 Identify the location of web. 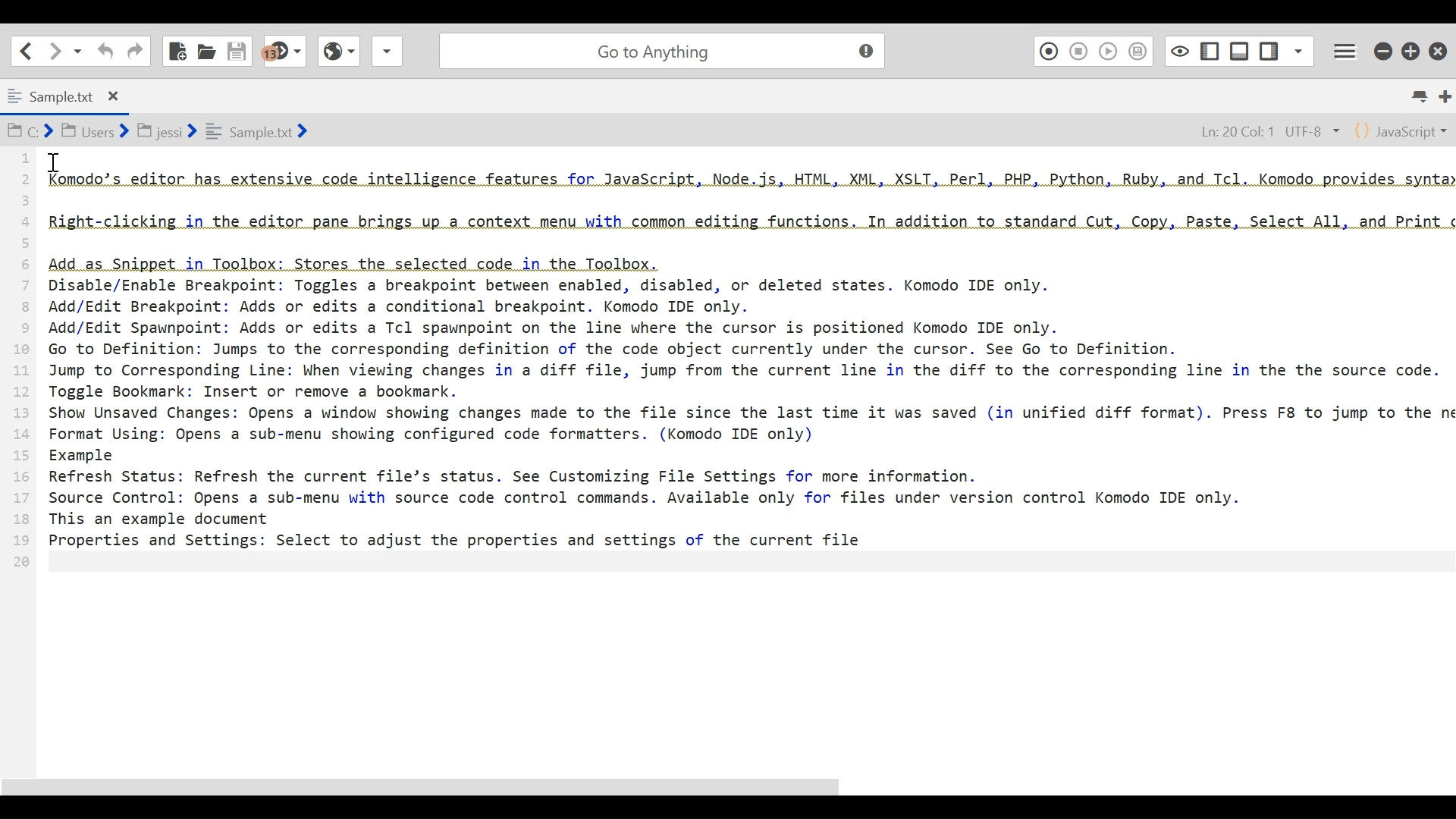
(337, 55).